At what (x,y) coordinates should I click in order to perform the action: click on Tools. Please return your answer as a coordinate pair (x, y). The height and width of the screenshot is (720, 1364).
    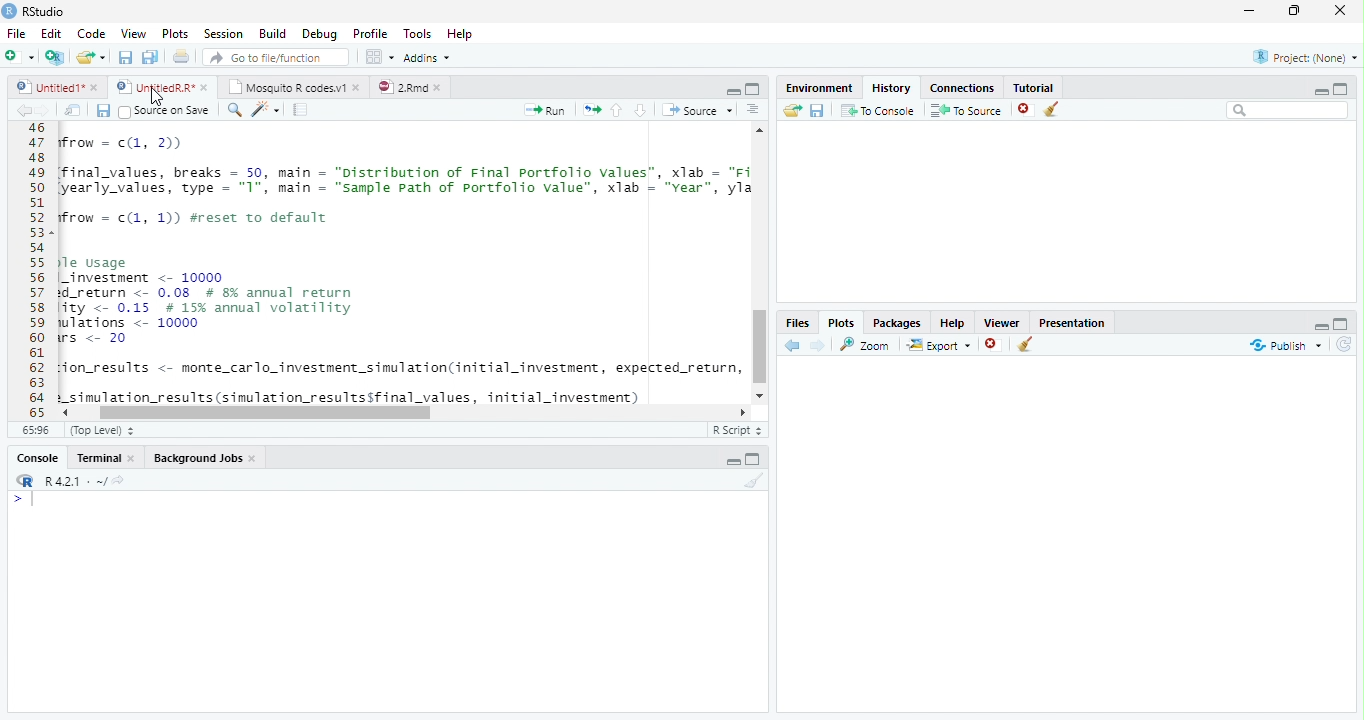
    Looking at the image, I should click on (416, 34).